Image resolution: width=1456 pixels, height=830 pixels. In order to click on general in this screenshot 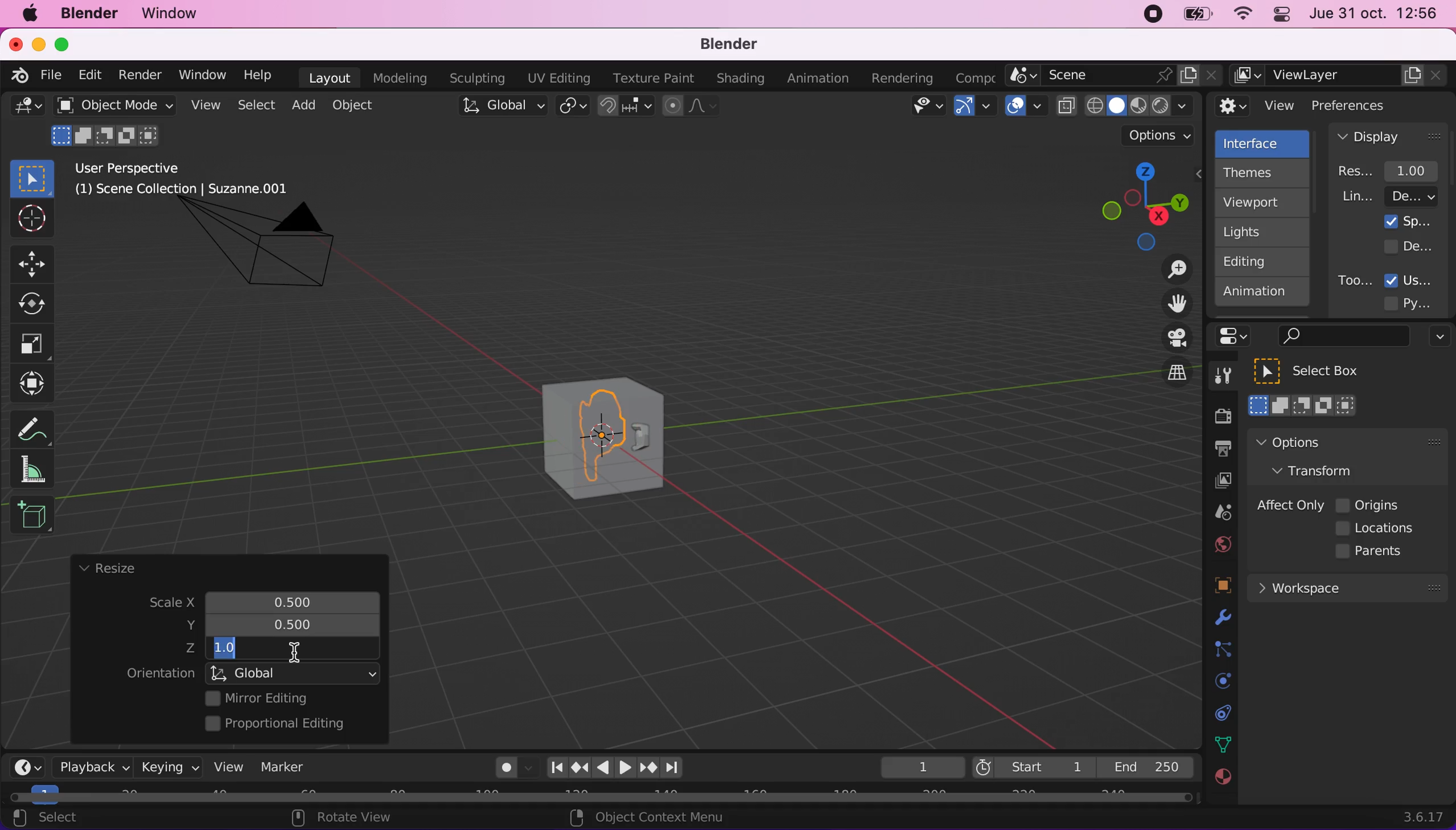, I will do `click(27, 109)`.